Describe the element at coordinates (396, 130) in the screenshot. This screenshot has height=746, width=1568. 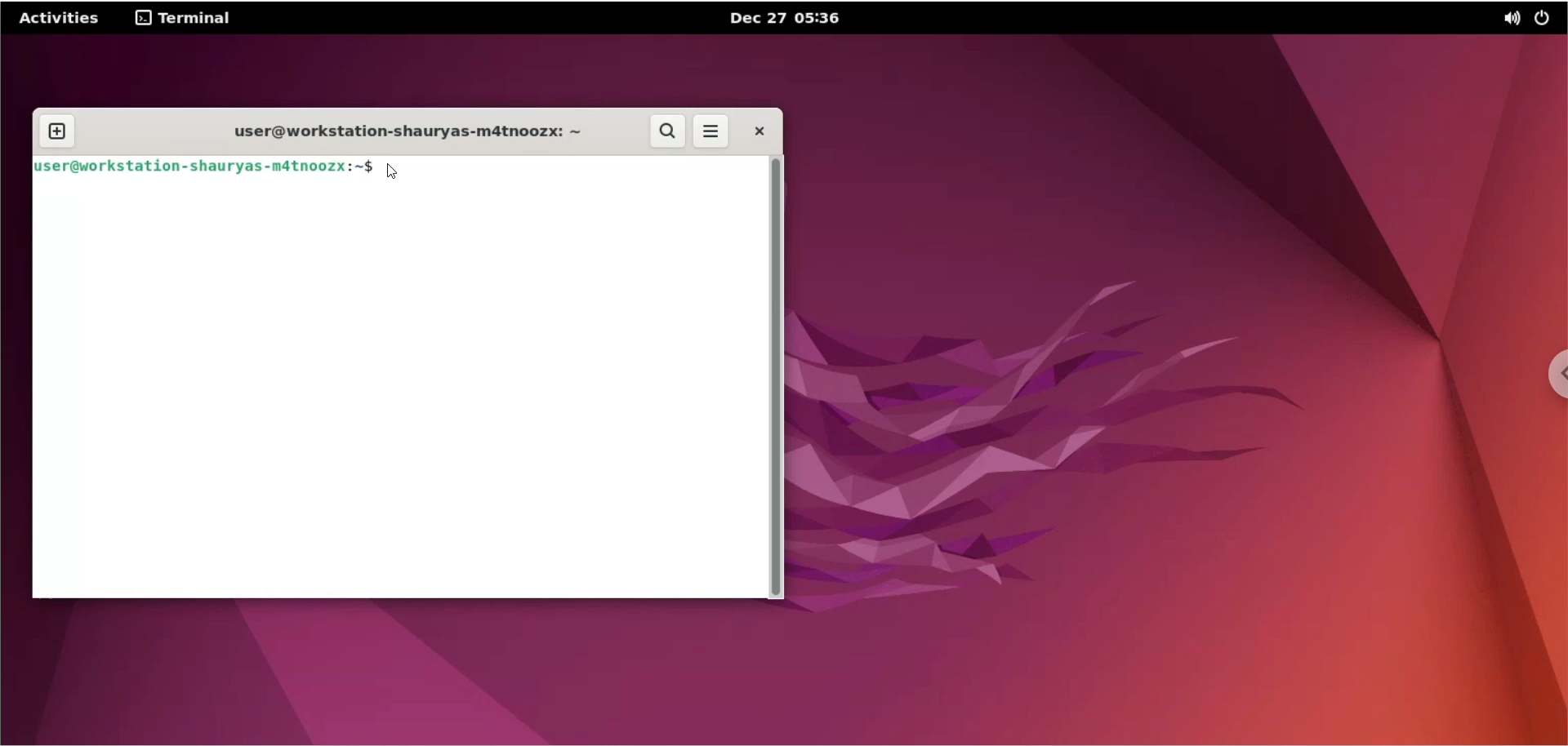
I see `user@workstation-shauryas-m4tnoozx: ~` at that location.